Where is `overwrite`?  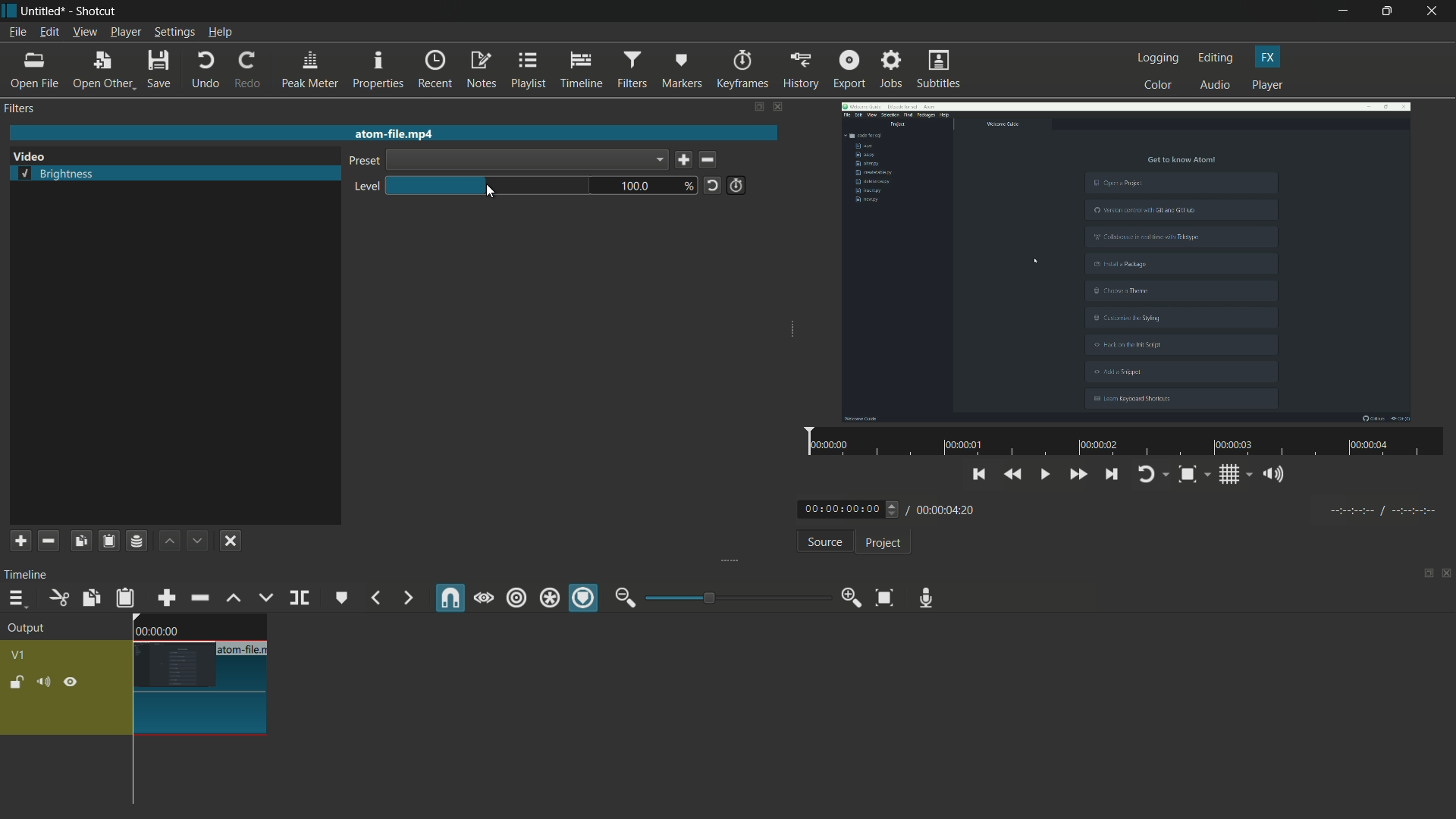 overwrite is located at coordinates (263, 598).